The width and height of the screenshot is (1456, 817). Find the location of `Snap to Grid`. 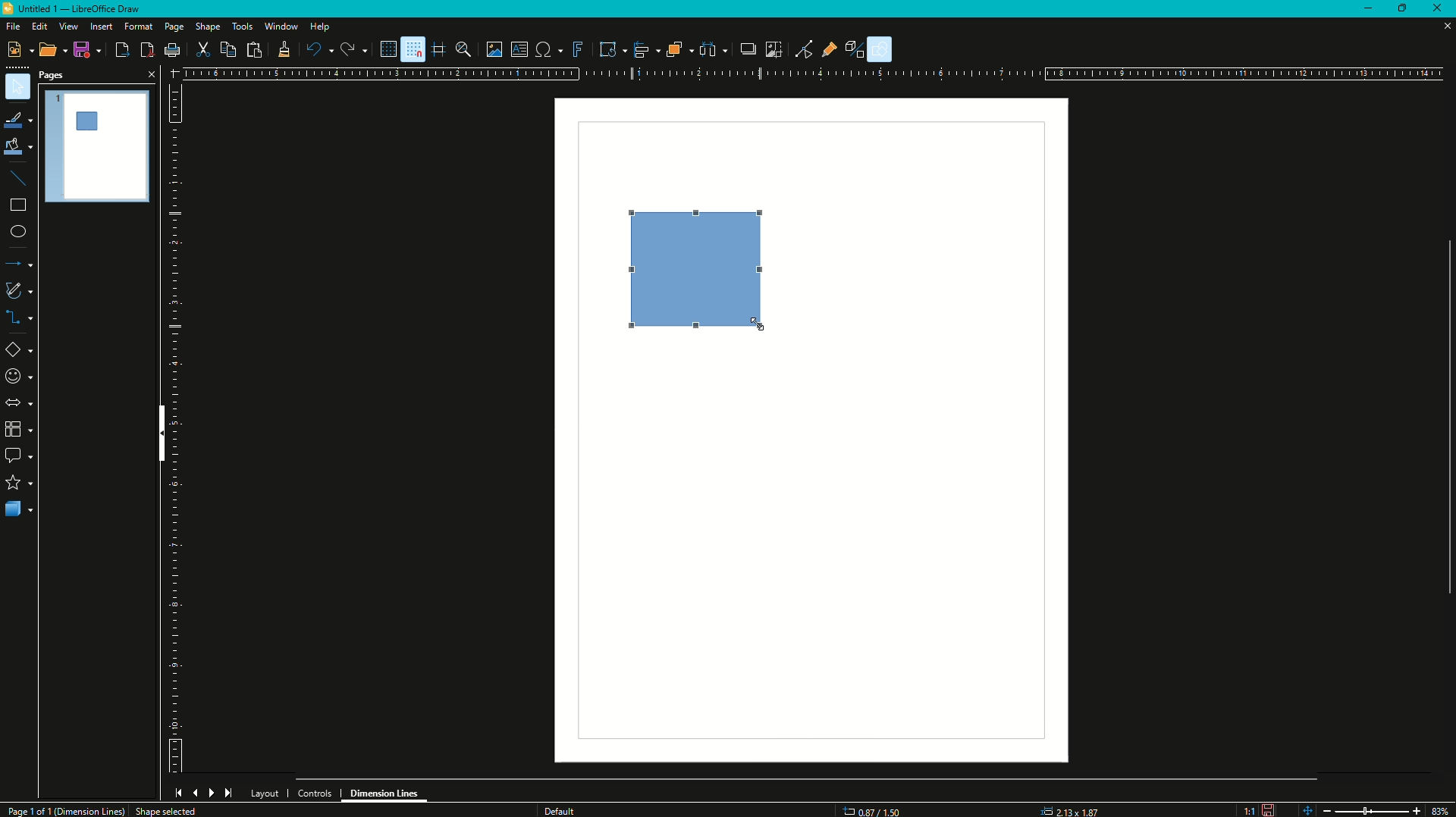

Snap to Grid is located at coordinates (412, 49).